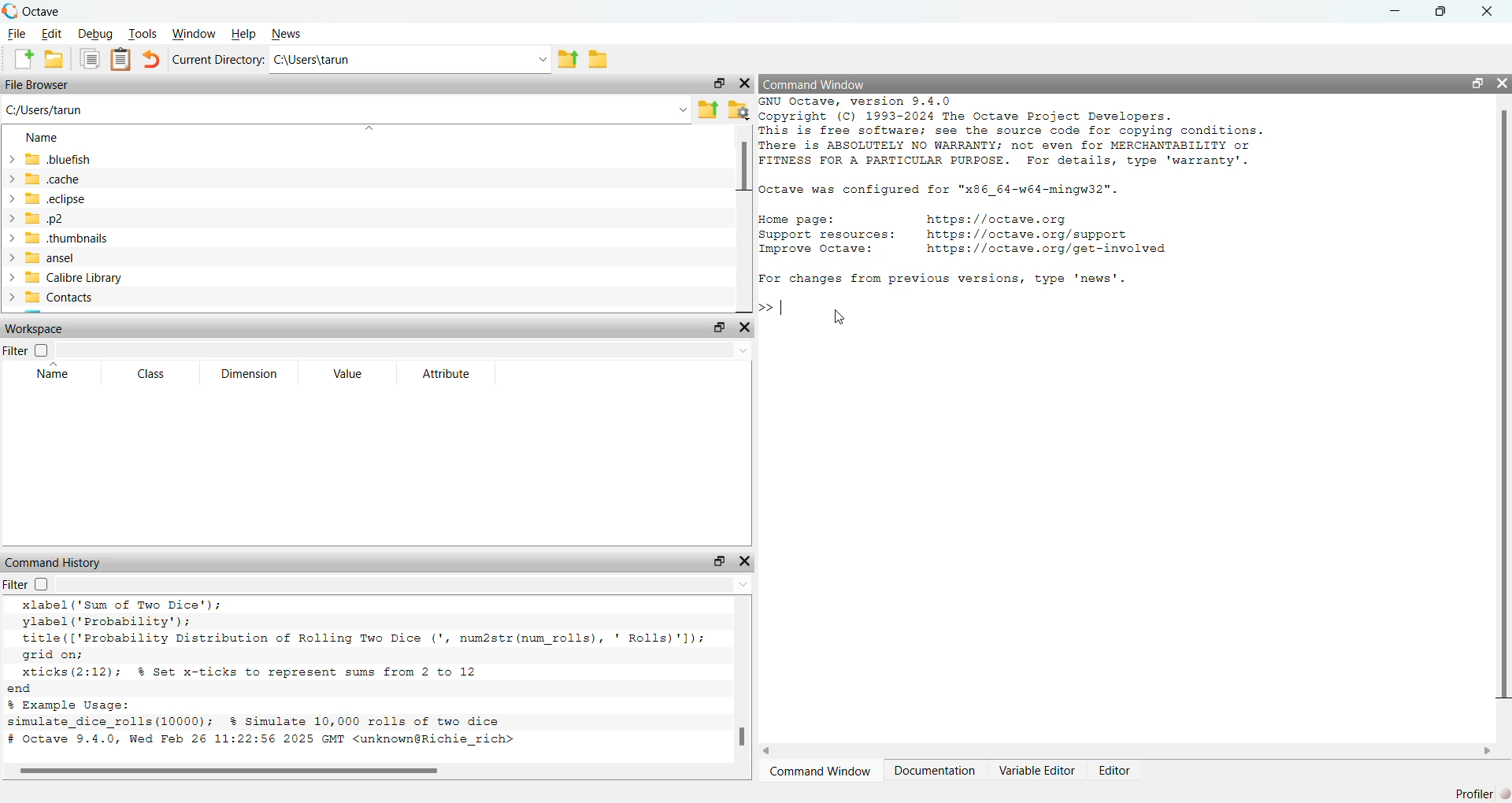 Image resolution: width=1512 pixels, height=803 pixels. Describe the element at coordinates (41, 257) in the screenshot. I see `ansel` at that location.